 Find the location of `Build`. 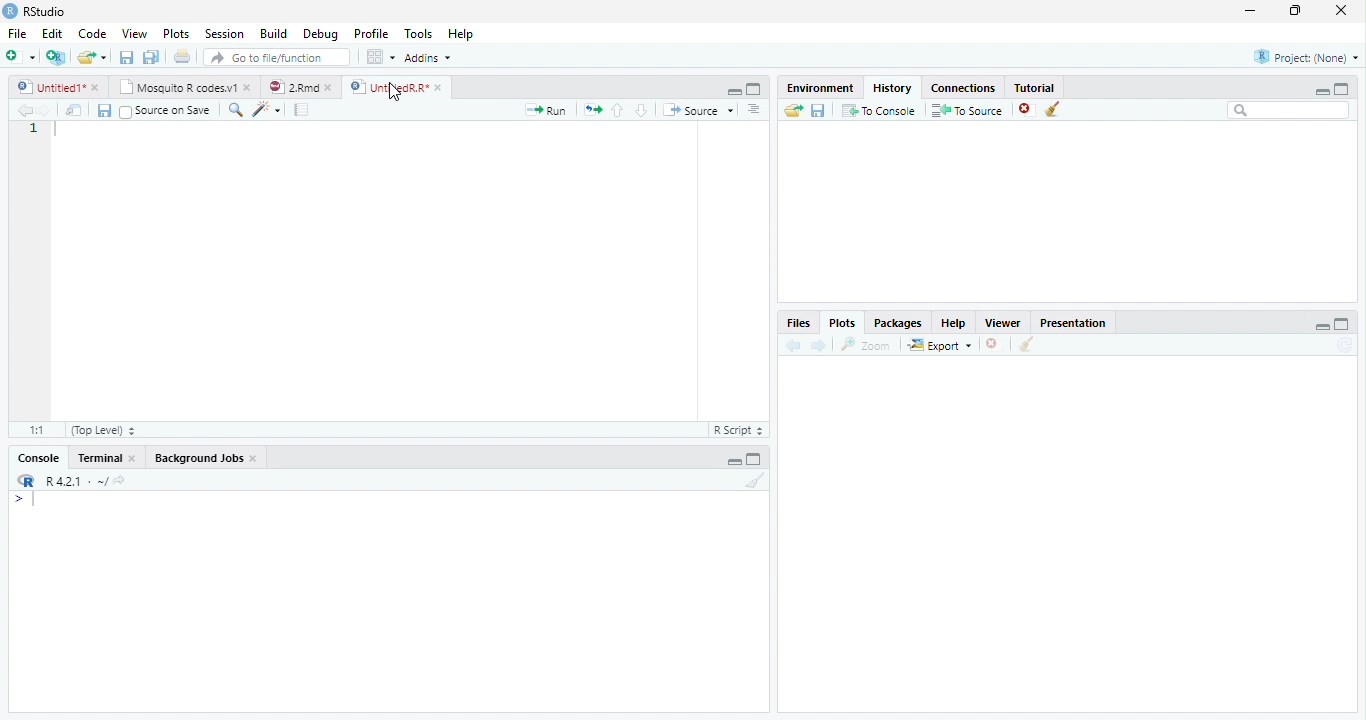

Build is located at coordinates (273, 33).